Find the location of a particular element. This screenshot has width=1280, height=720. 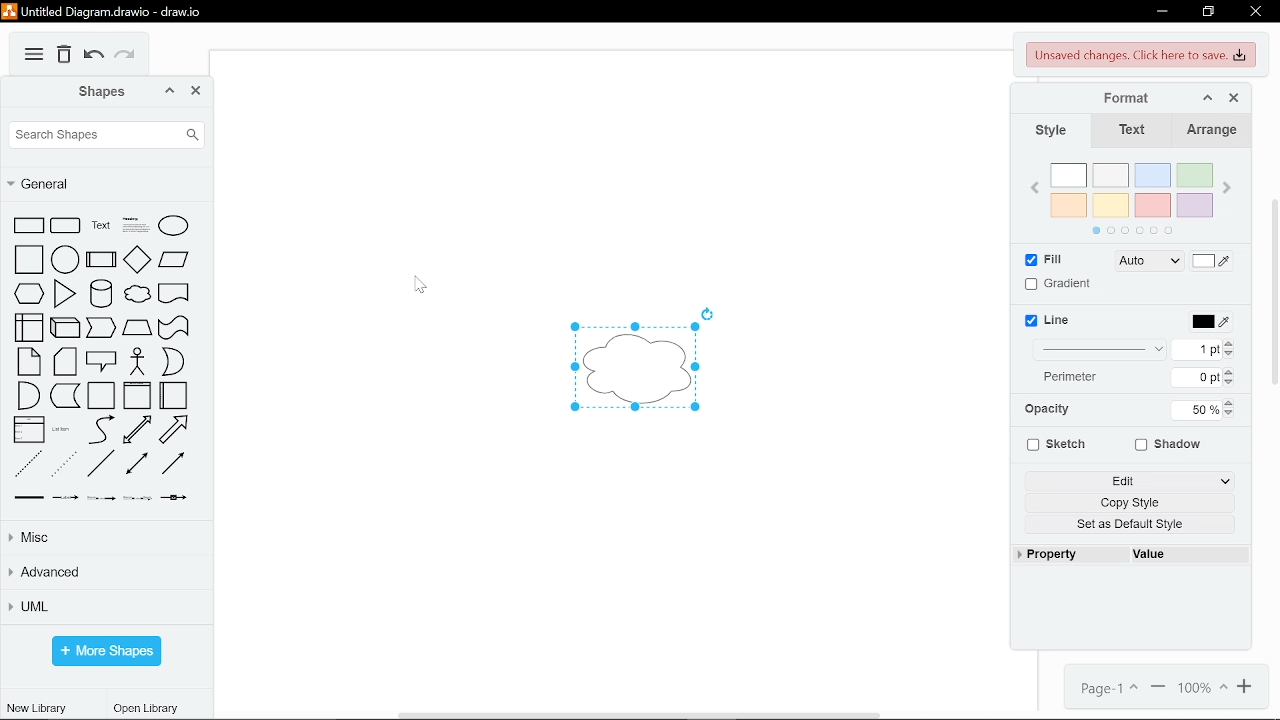

value is located at coordinates (1191, 554).